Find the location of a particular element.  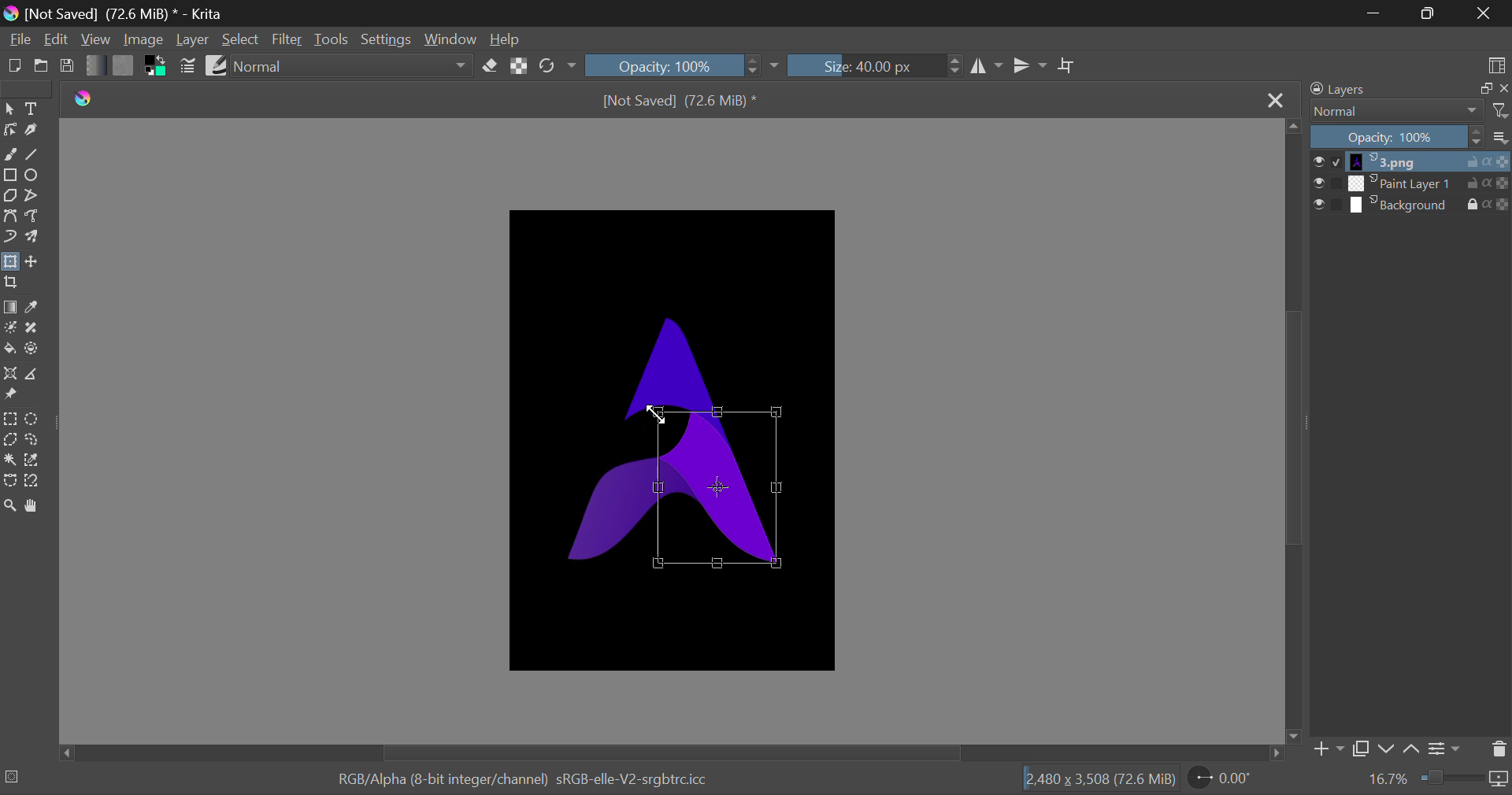

Rotate Image is located at coordinates (558, 66).